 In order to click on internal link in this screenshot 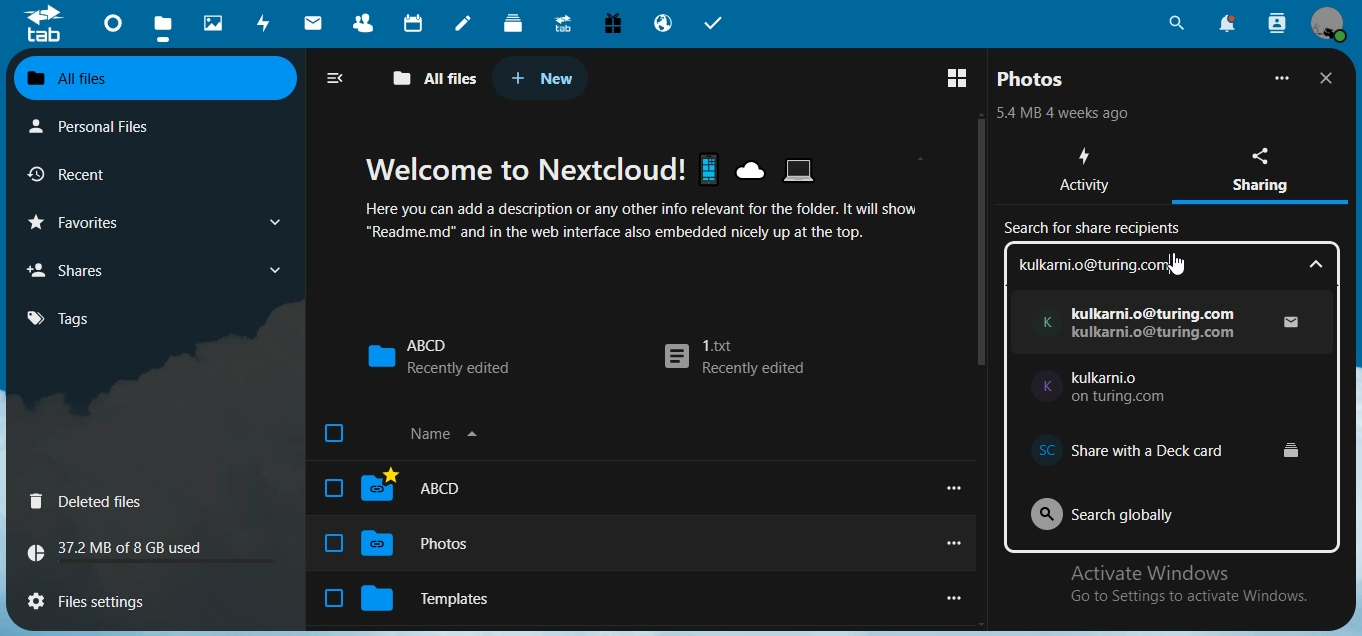, I will do `click(1168, 437)`.